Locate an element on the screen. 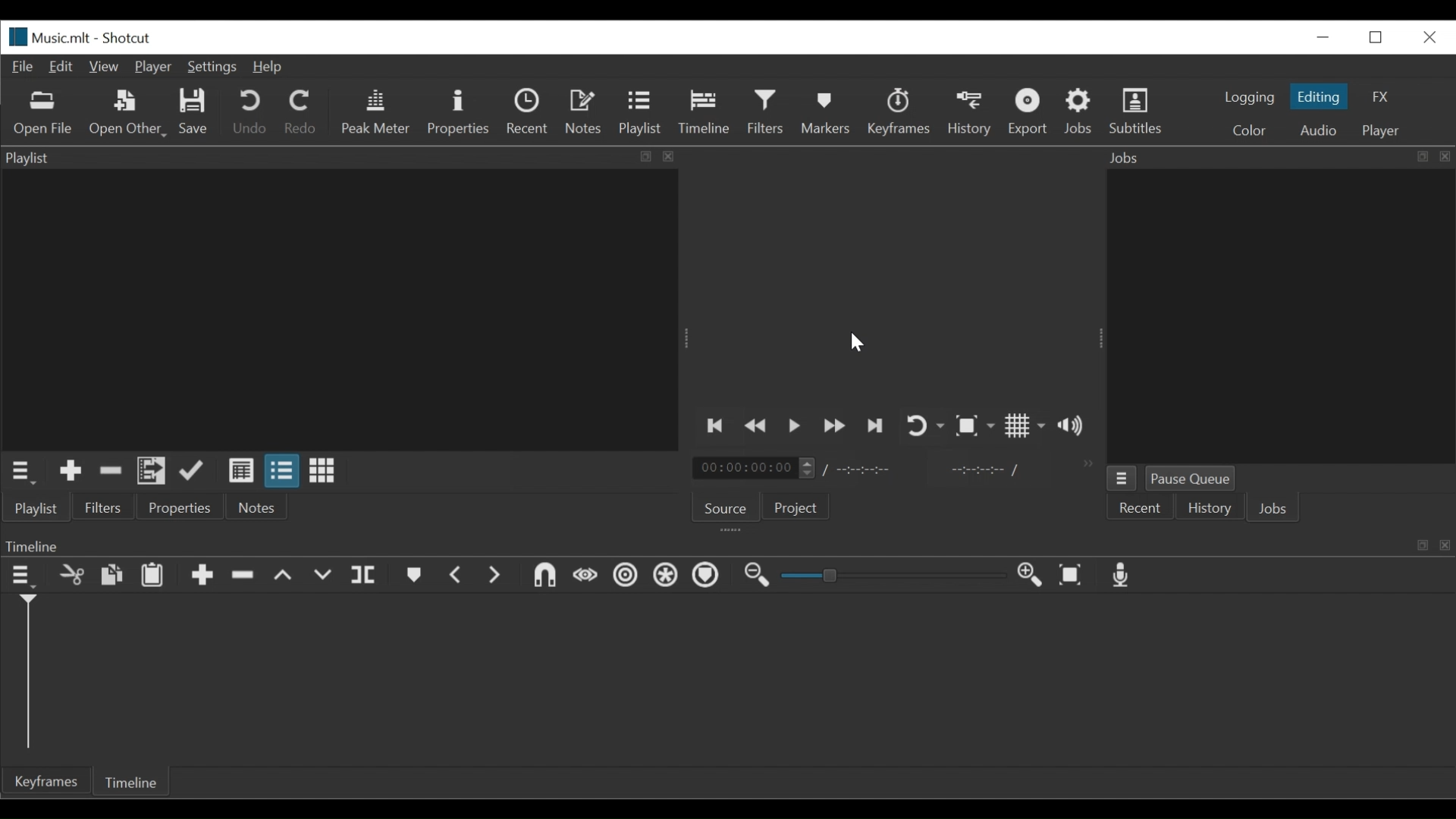 Image resolution: width=1456 pixels, height=819 pixels. Properties is located at coordinates (181, 507).